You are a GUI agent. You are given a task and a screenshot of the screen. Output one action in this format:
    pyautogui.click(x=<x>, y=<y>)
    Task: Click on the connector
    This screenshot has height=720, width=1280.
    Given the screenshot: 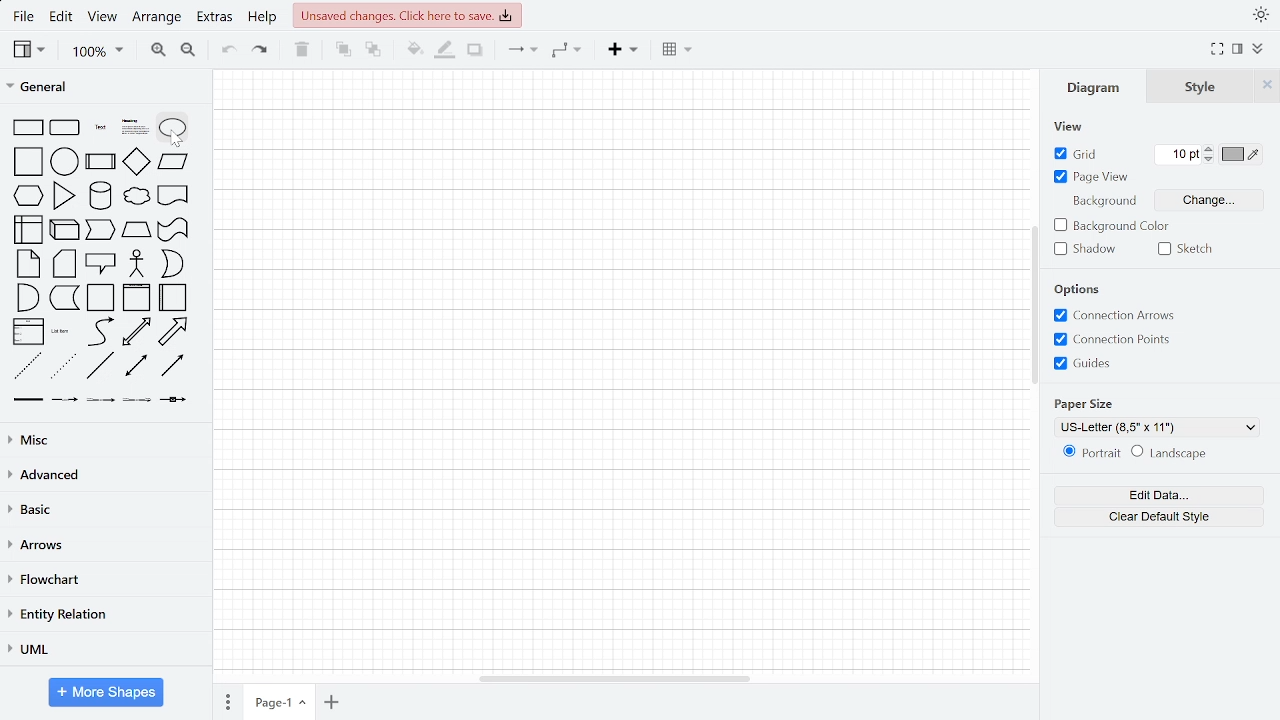 What is the action you would take?
    pyautogui.click(x=566, y=51)
    